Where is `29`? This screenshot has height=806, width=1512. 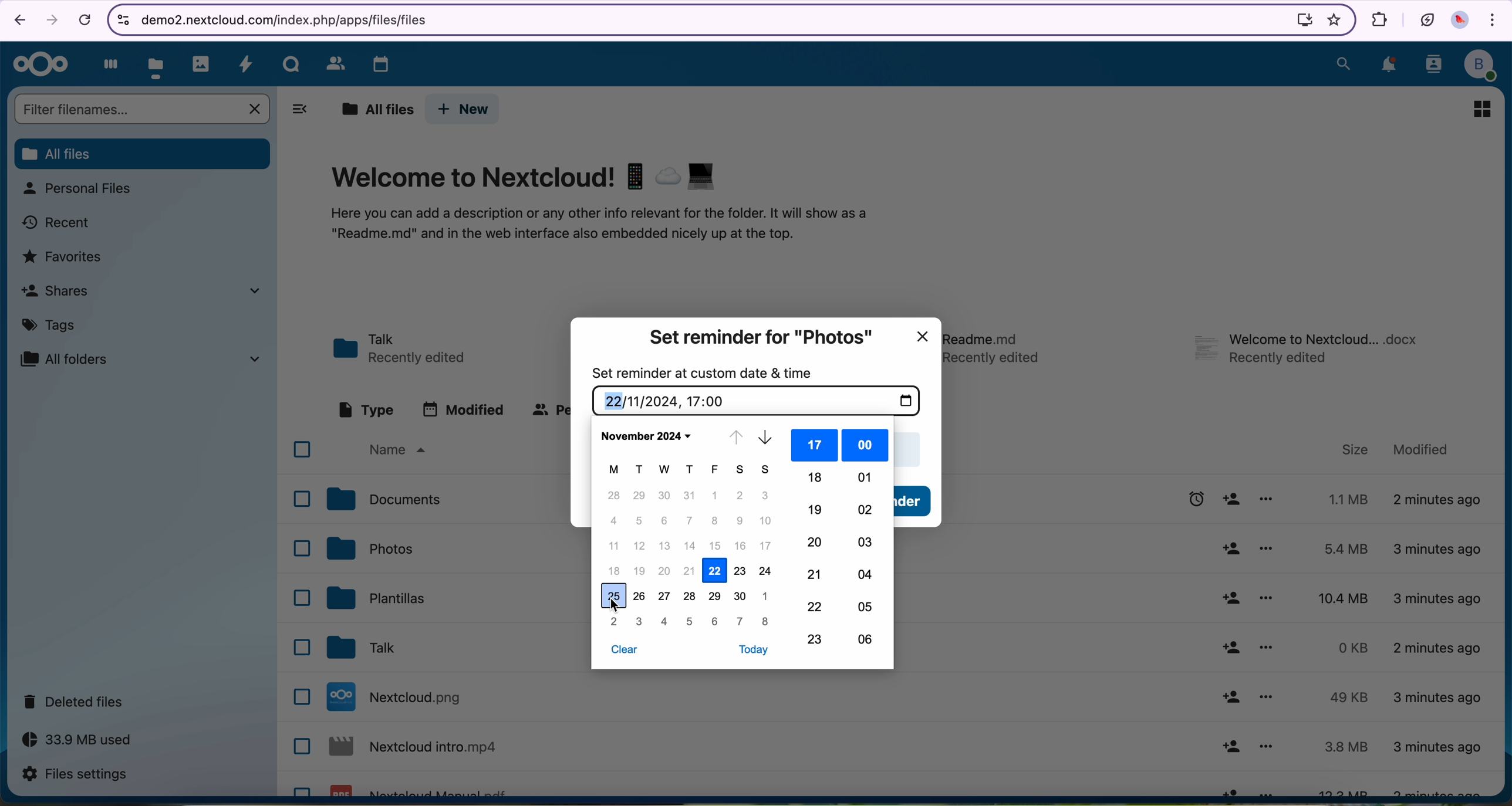
29 is located at coordinates (641, 495).